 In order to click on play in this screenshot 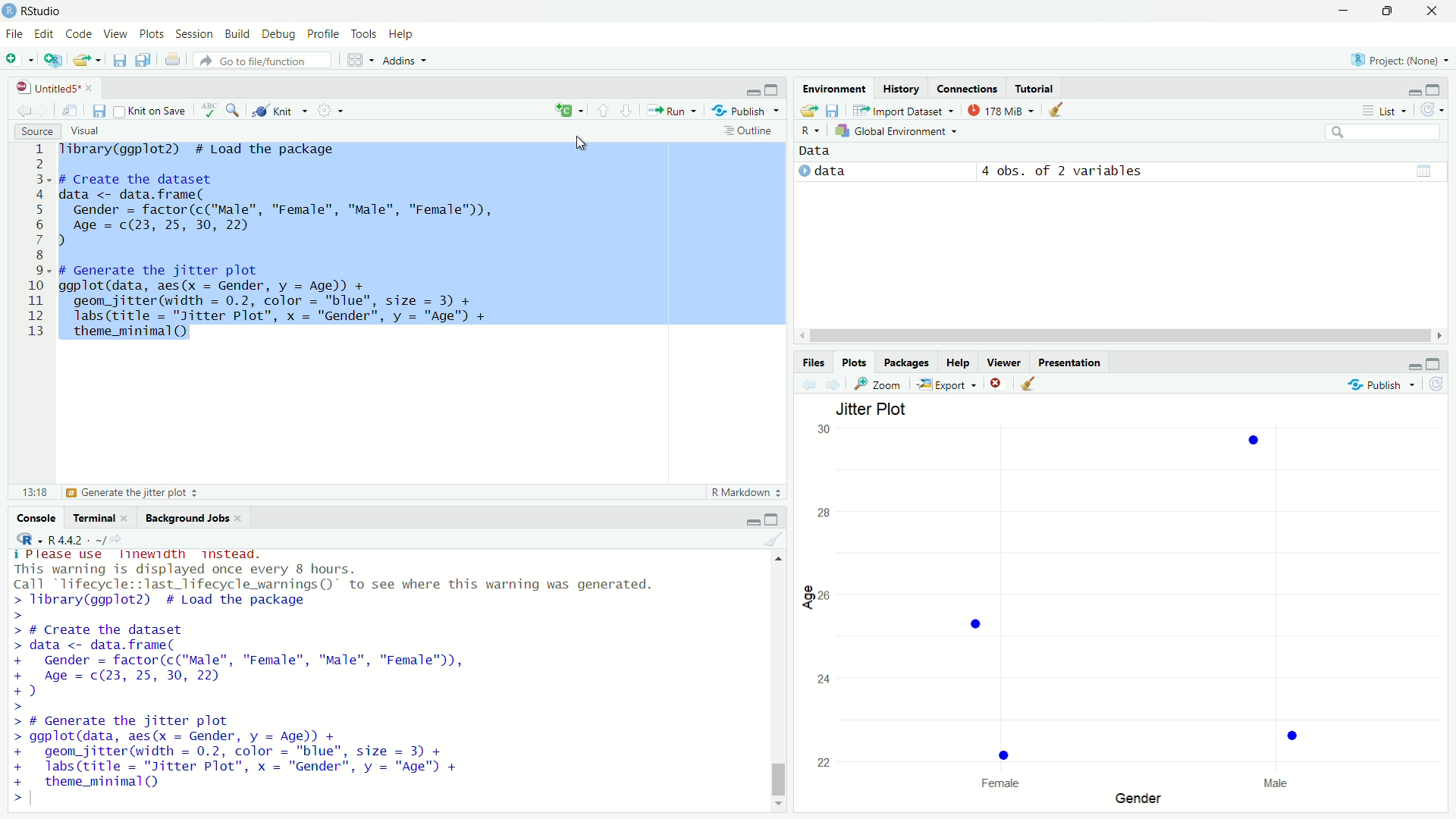, I will do `click(805, 169)`.